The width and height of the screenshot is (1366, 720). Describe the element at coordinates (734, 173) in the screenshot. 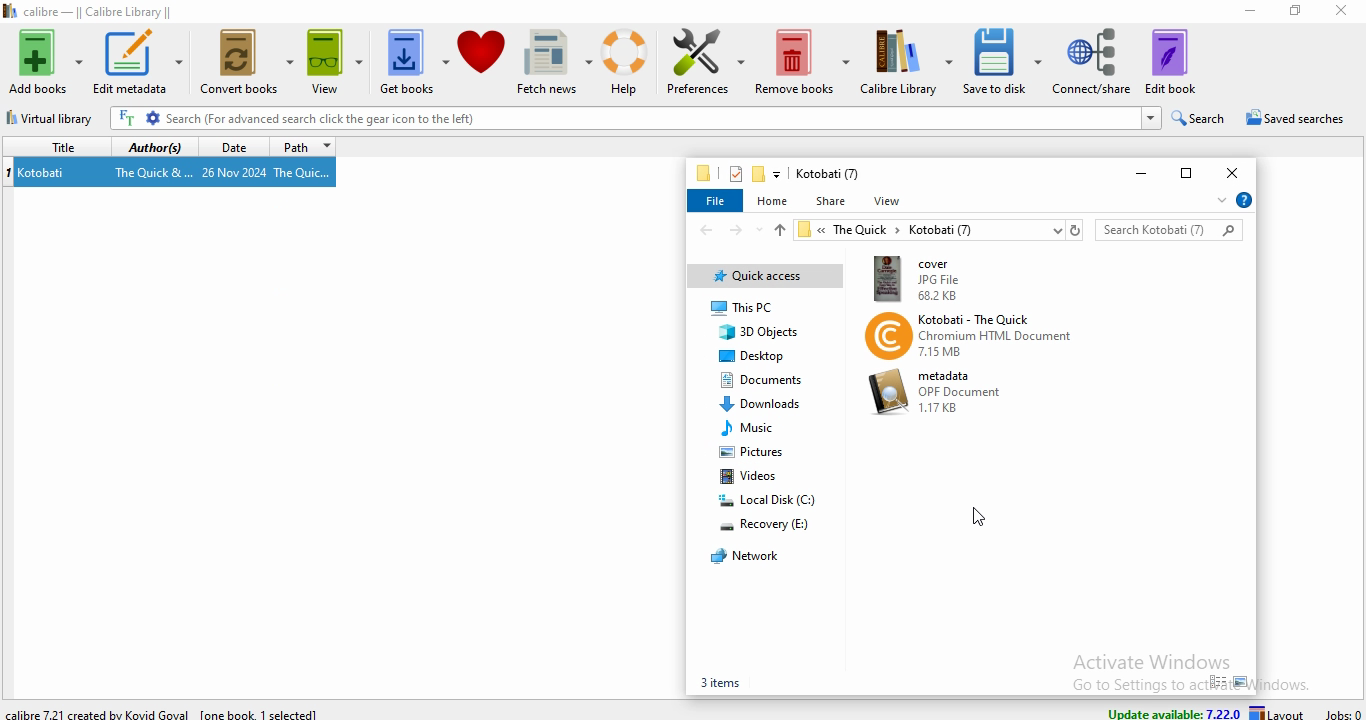

I see `properties` at that location.